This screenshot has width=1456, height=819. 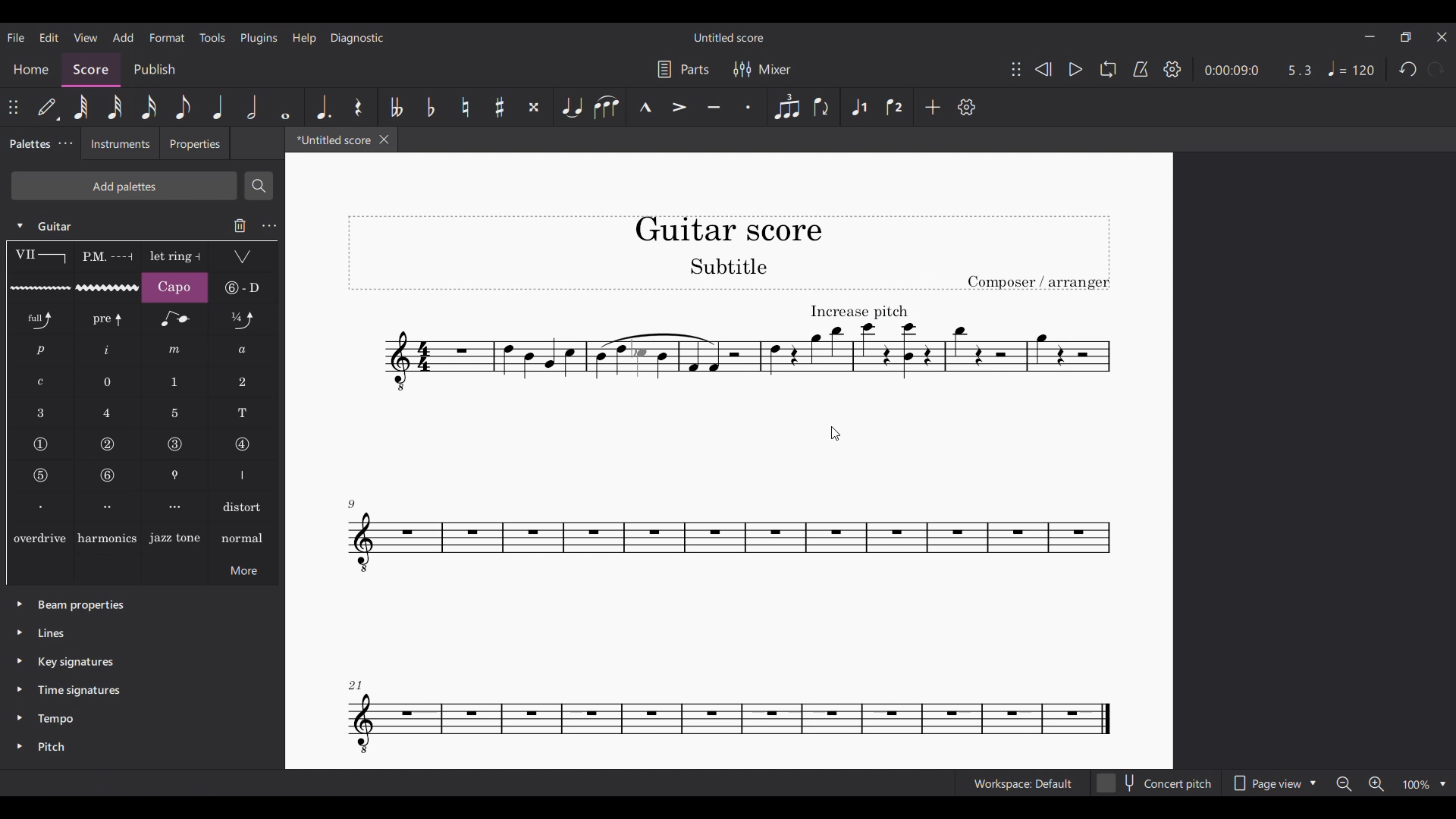 What do you see at coordinates (730, 583) in the screenshot?
I see `Current score` at bounding box center [730, 583].